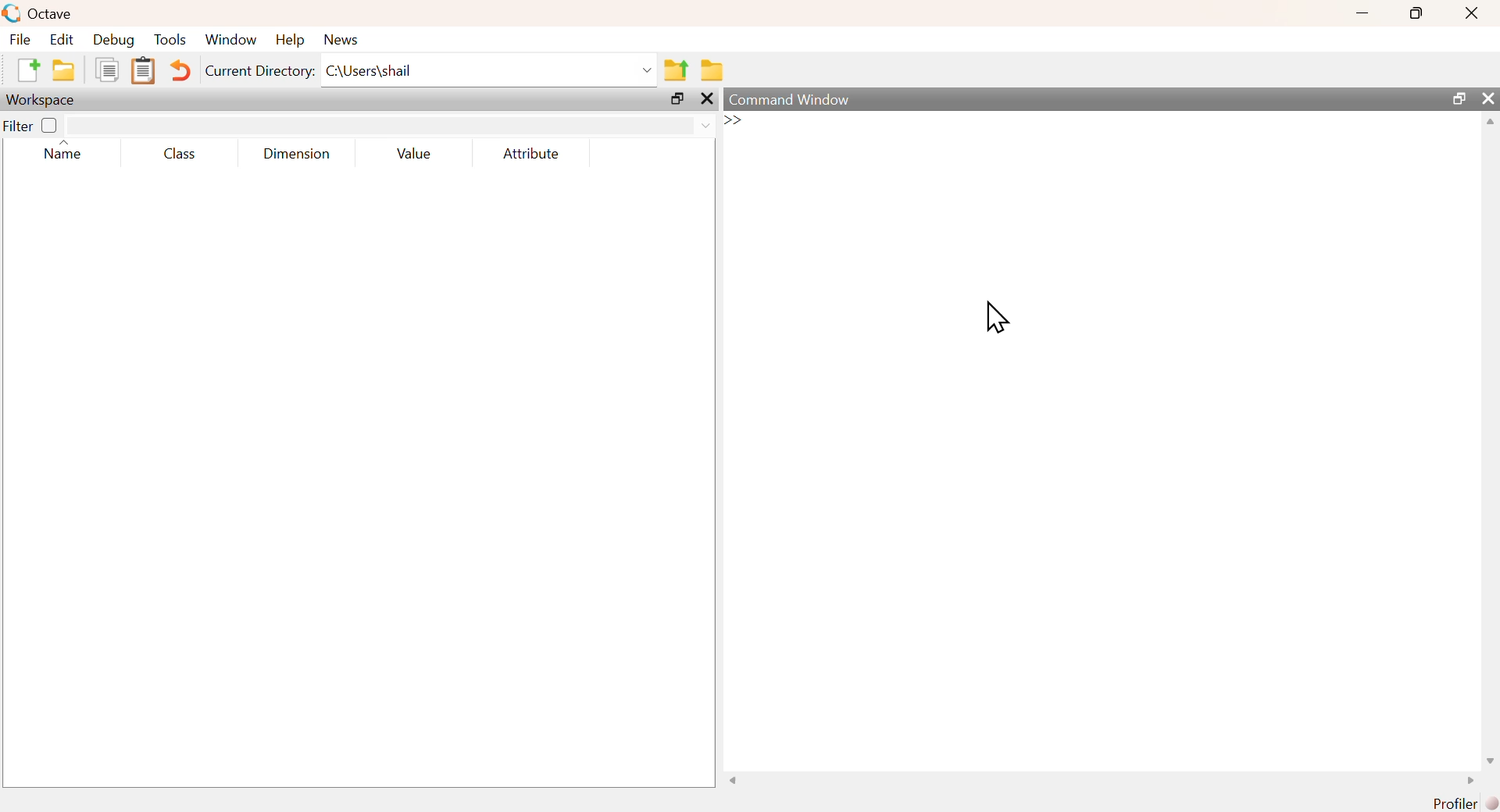 This screenshot has width=1500, height=812. Describe the element at coordinates (1362, 12) in the screenshot. I see `minimize` at that location.